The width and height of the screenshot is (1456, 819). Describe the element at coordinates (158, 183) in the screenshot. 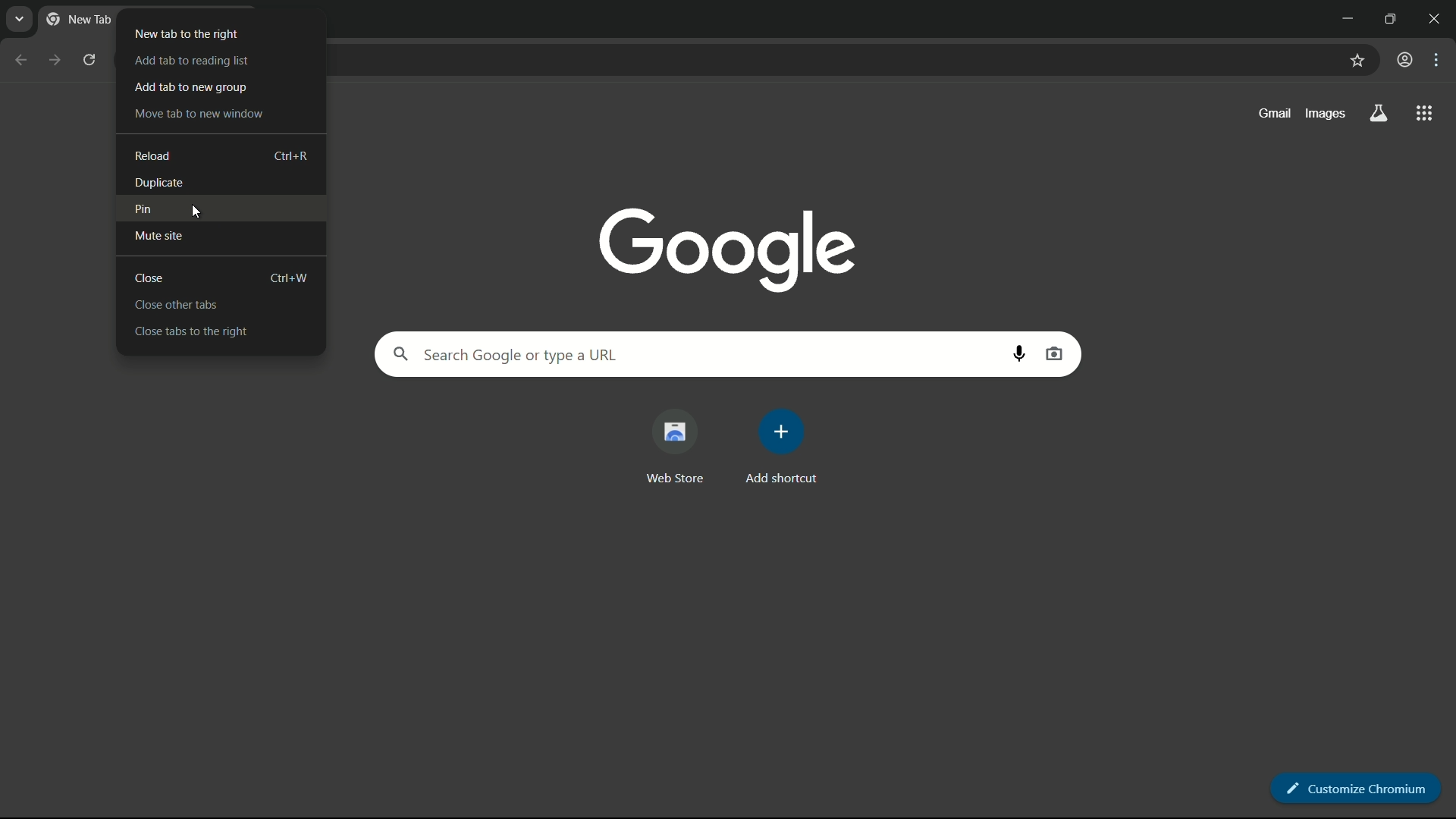

I see `duplicate` at that location.